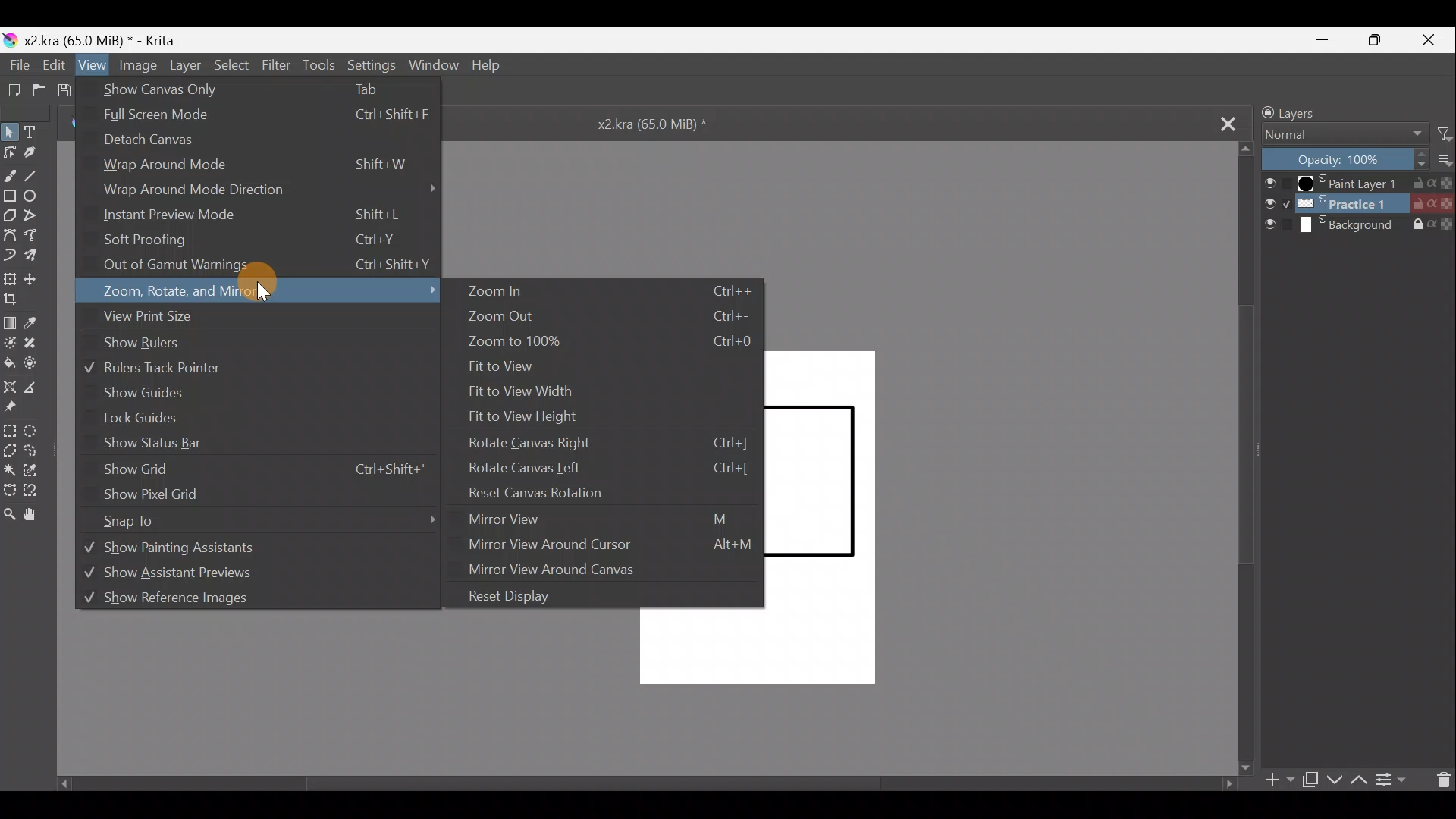 The height and width of the screenshot is (819, 1456). I want to click on Open an existing document, so click(39, 89).